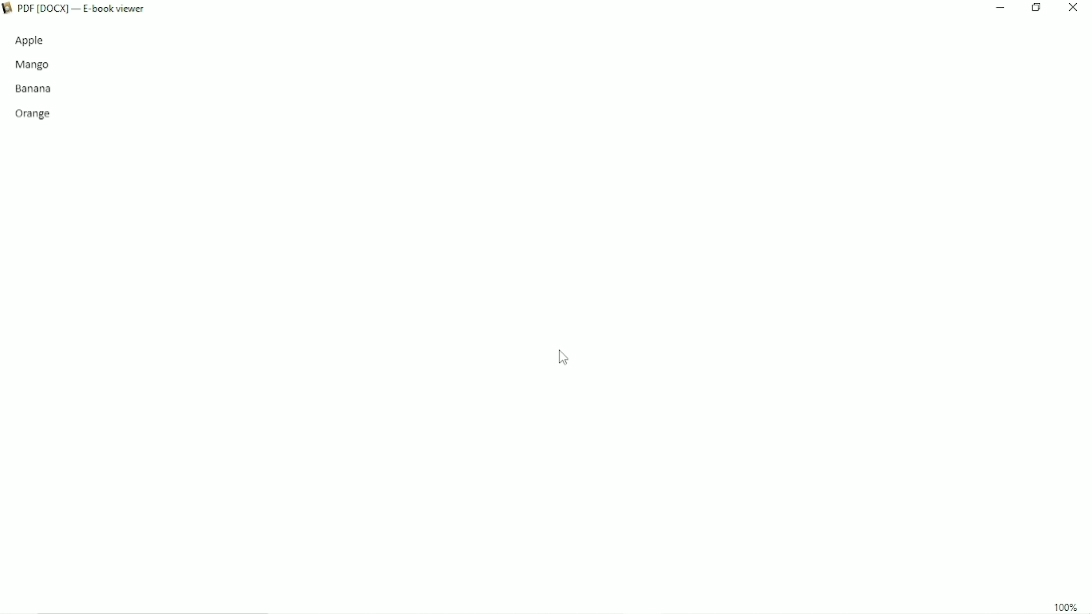  Describe the element at coordinates (1037, 8) in the screenshot. I see `Restore down` at that location.